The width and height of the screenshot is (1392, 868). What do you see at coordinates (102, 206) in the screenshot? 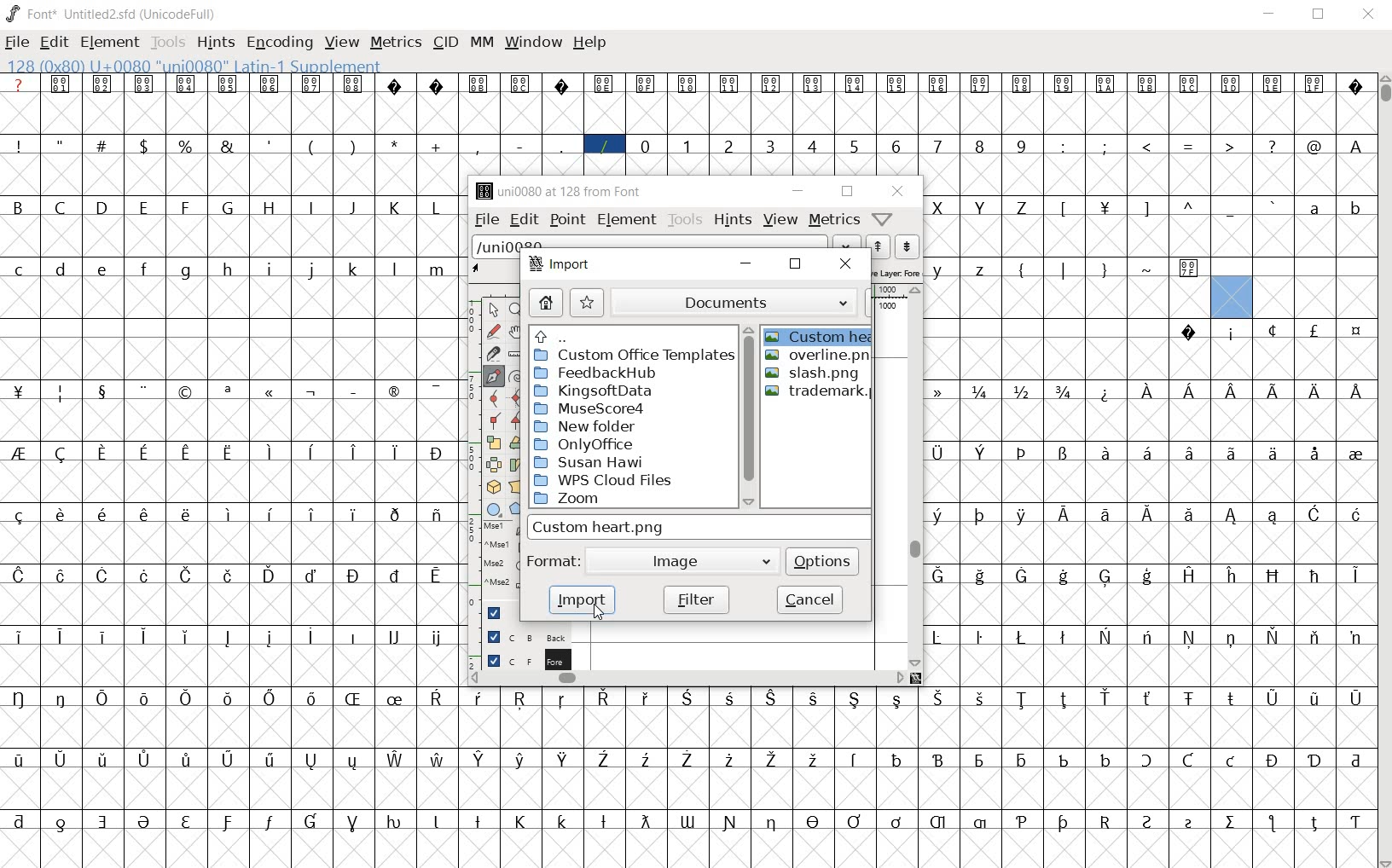
I see `glyph` at bounding box center [102, 206].